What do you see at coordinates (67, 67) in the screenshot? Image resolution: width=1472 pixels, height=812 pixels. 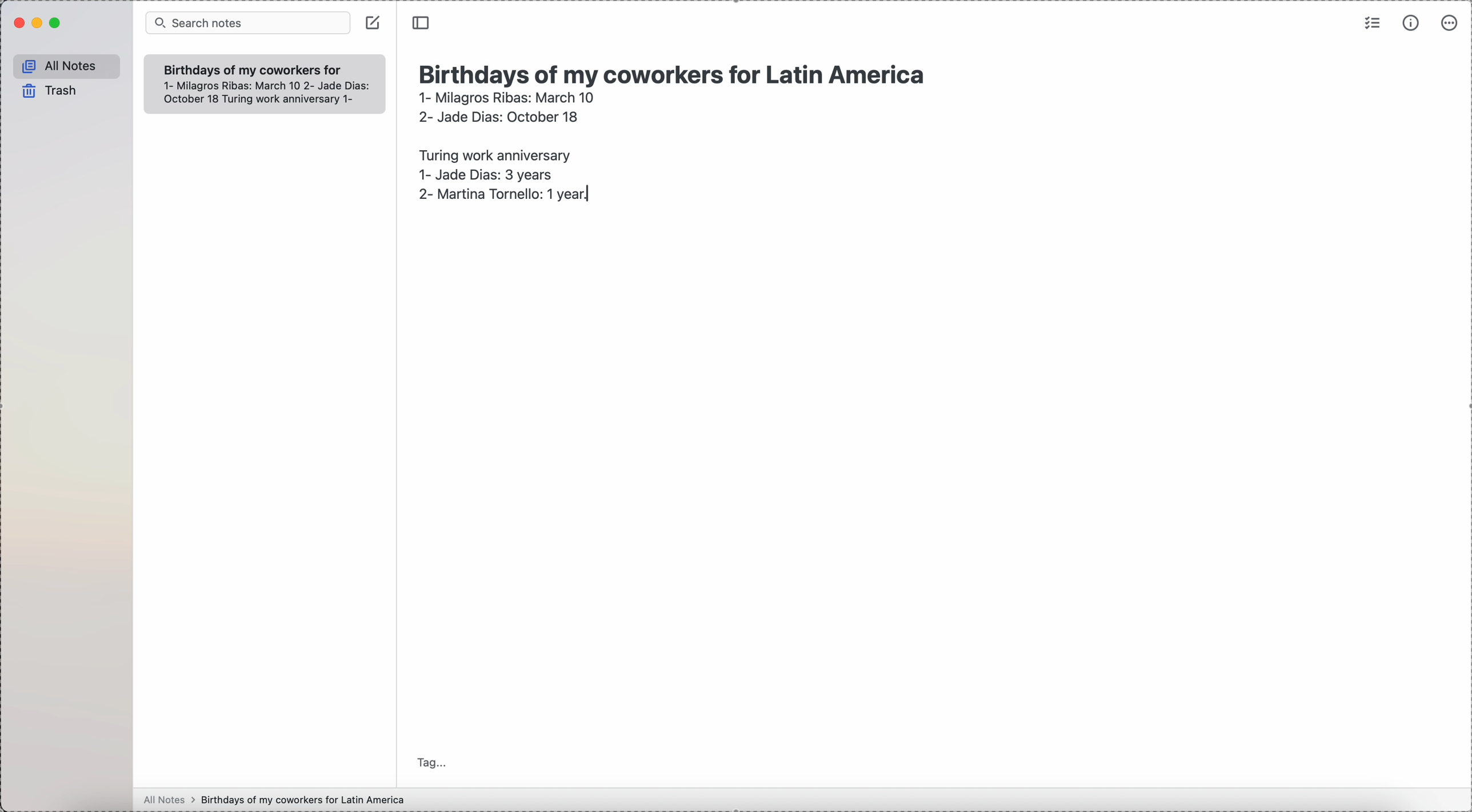 I see `all notes` at bounding box center [67, 67].